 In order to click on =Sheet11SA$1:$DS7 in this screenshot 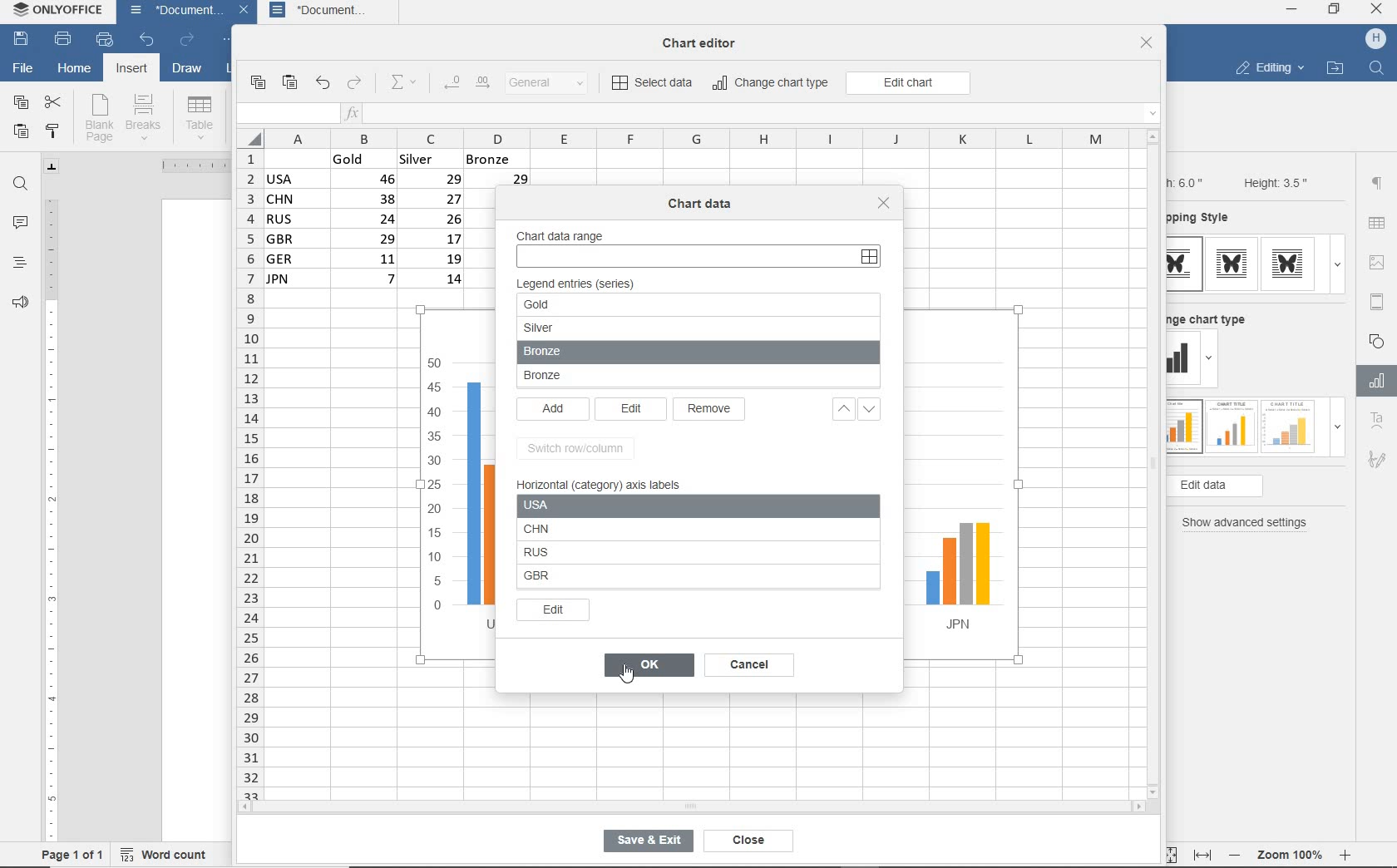, I will do `click(703, 256)`.